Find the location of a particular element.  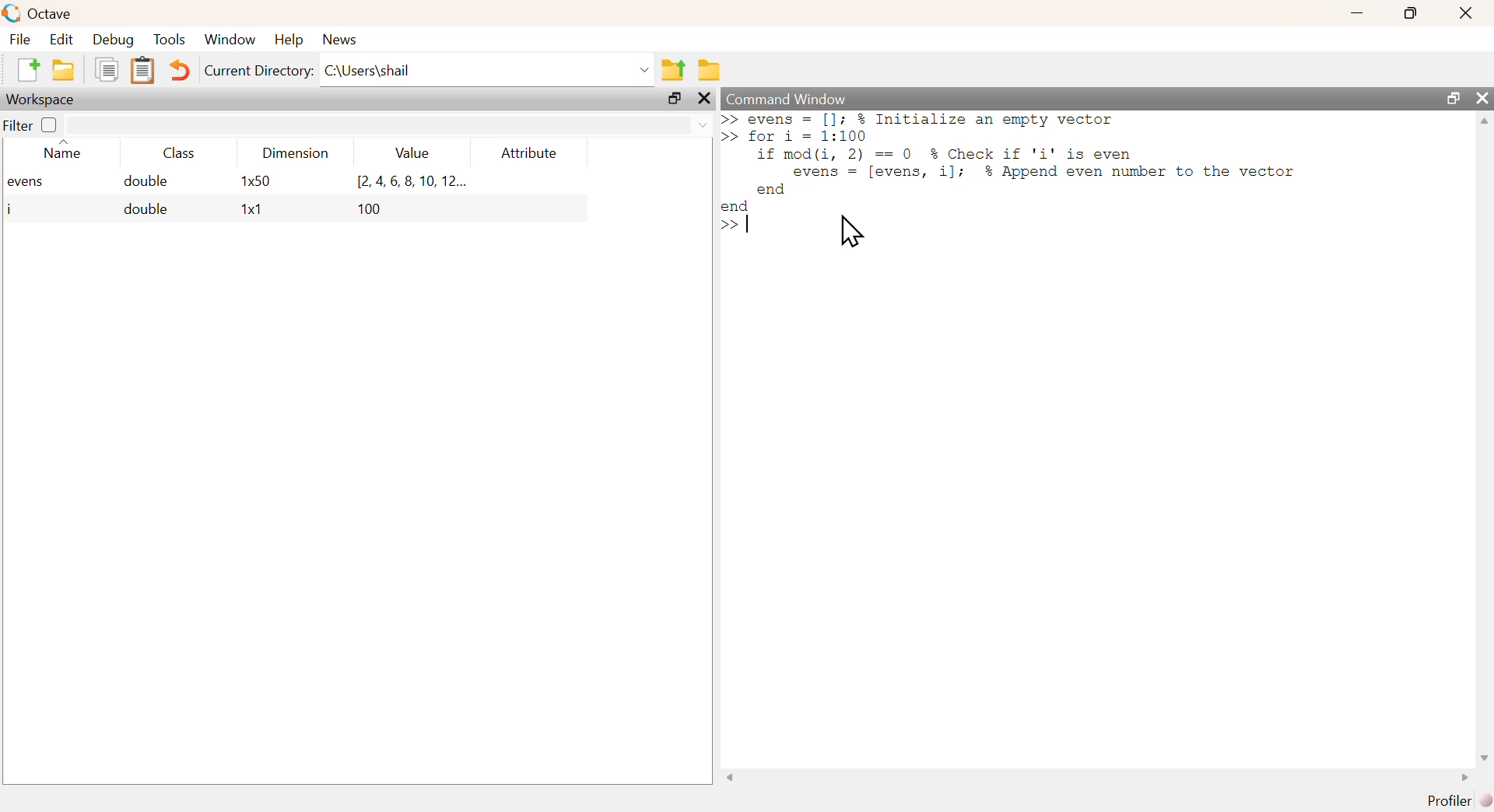

maximize is located at coordinates (670, 100).